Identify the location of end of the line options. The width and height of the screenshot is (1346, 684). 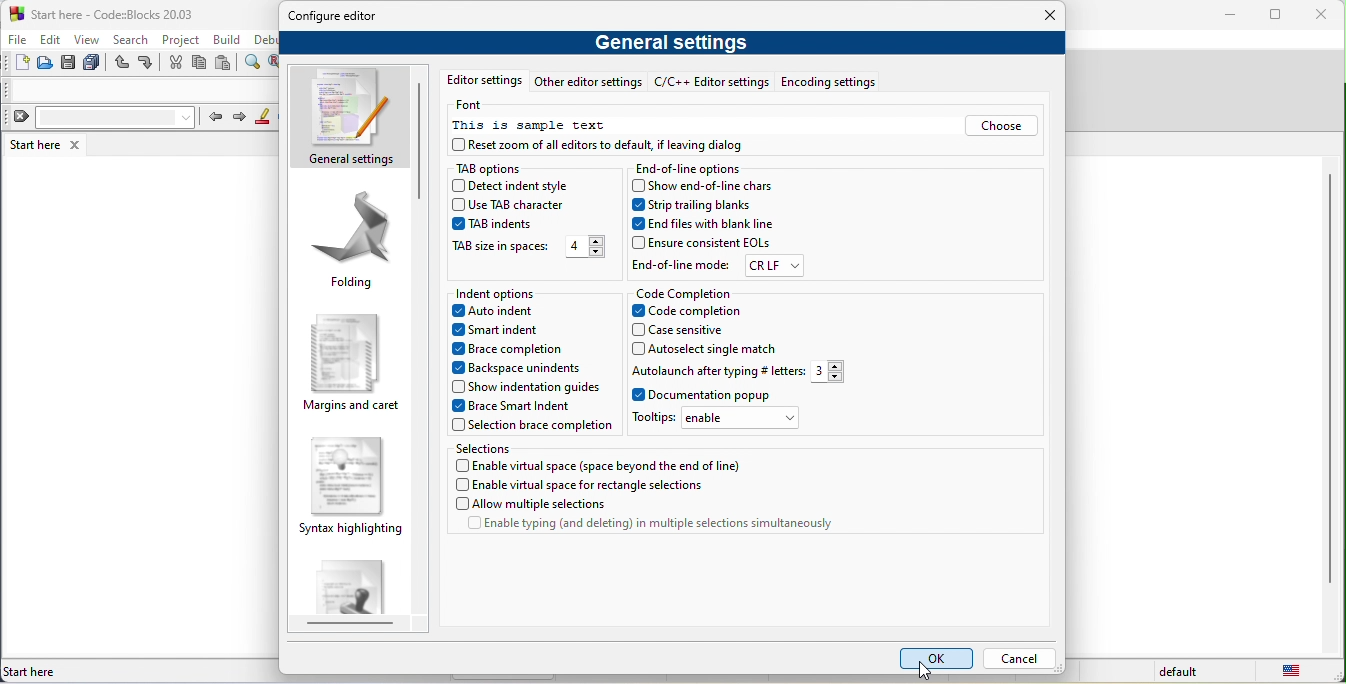
(689, 168).